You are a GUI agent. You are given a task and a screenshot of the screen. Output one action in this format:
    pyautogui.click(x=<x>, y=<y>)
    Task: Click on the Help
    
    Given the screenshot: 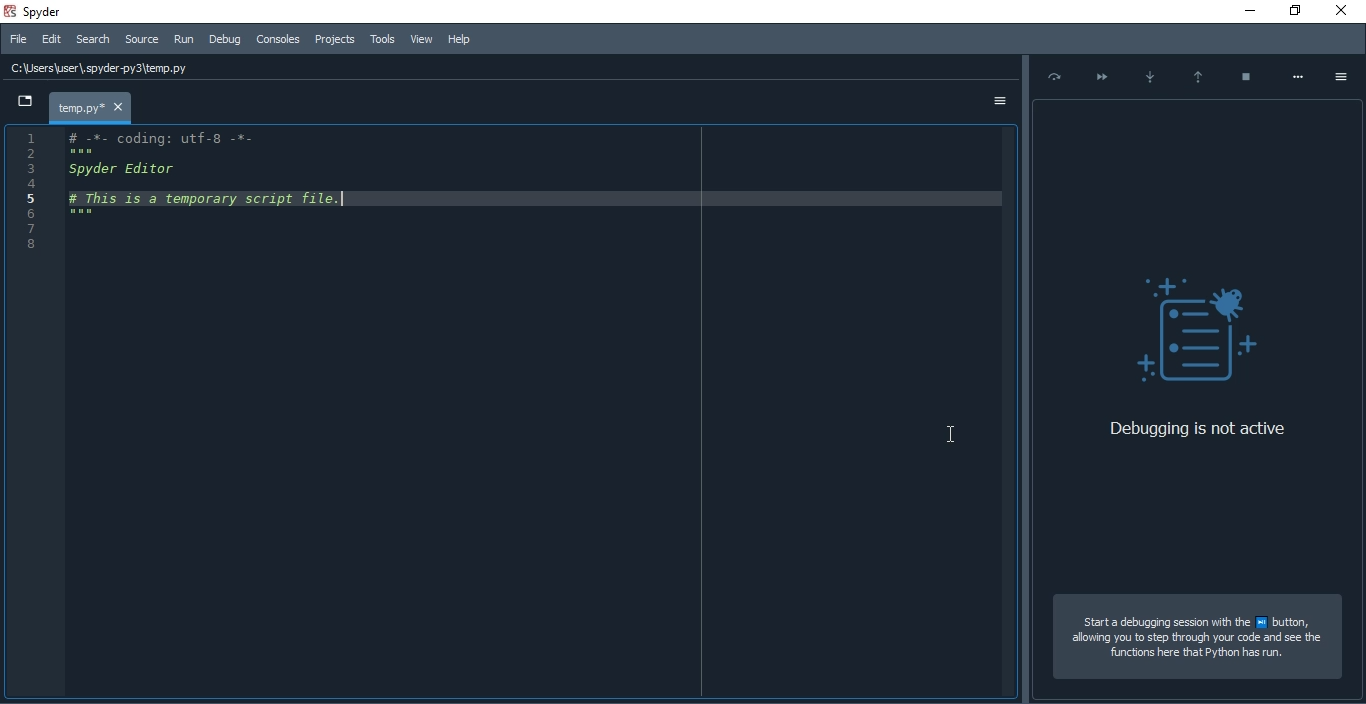 What is the action you would take?
    pyautogui.click(x=460, y=39)
    